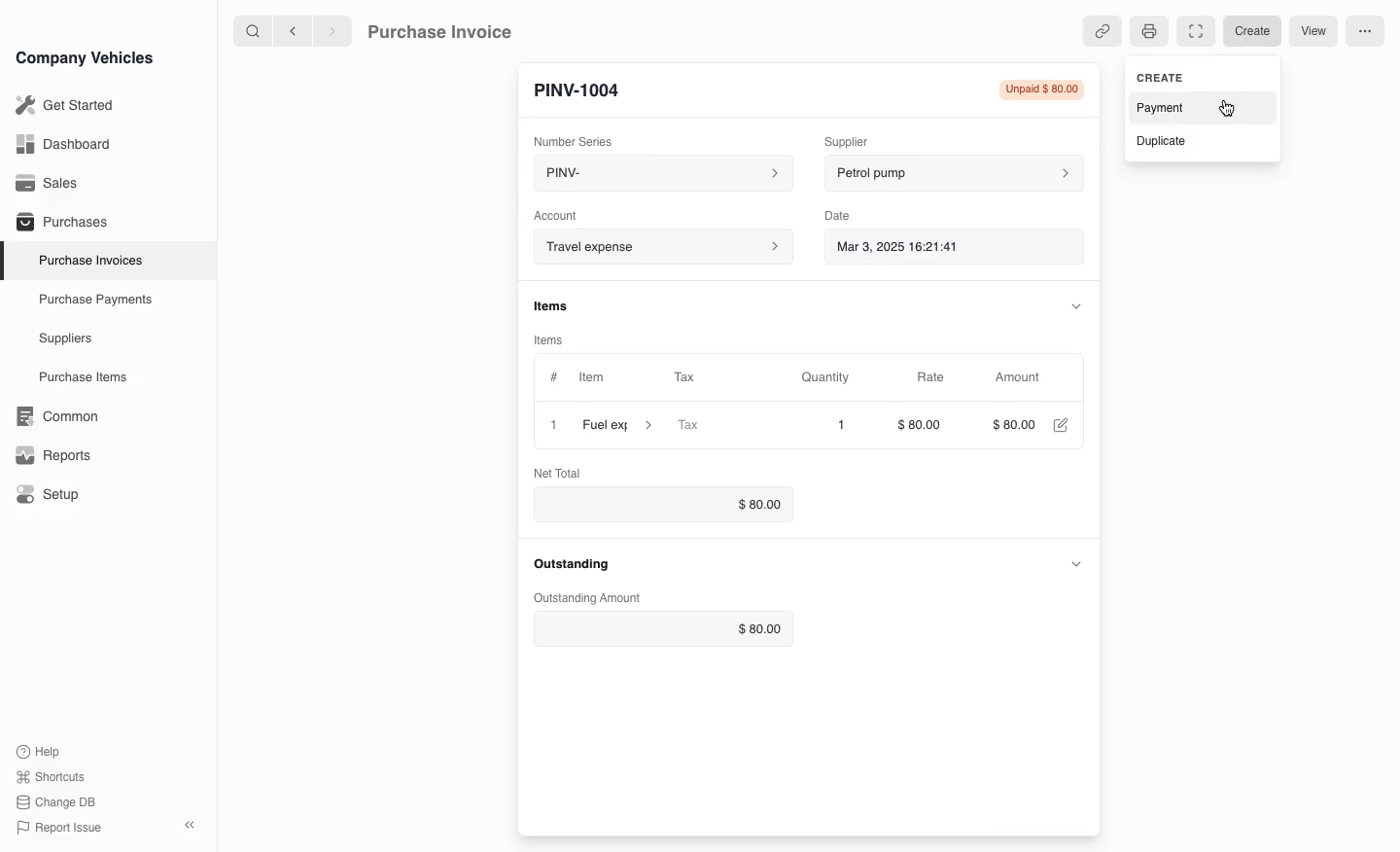 The width and height of the screenshot is (1400, 852). What do you see at coordinates (660, 247) in the screenshot?
I see `Account` at bounding box center [660, 247].